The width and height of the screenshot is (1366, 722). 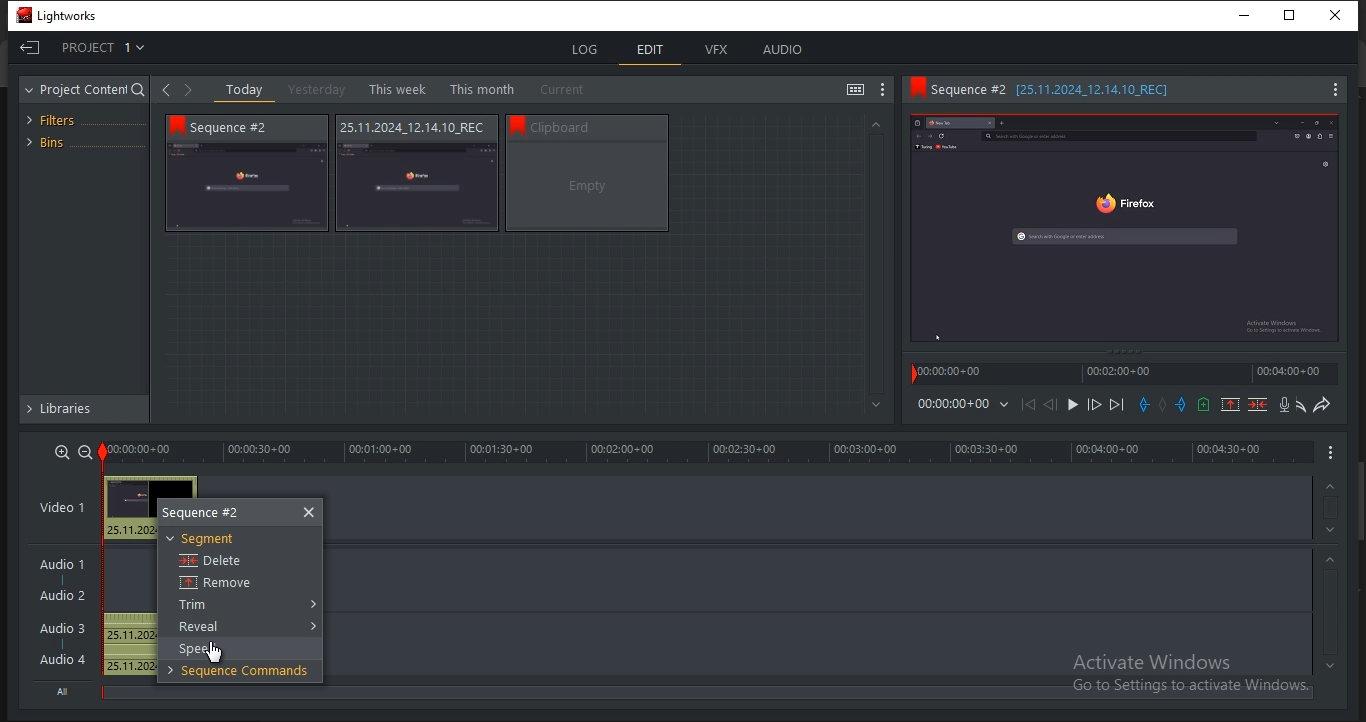 What do you see at coordinates (217, 512) in the screenshot?
I see `sequence 2` at bounding box center [217, 512].